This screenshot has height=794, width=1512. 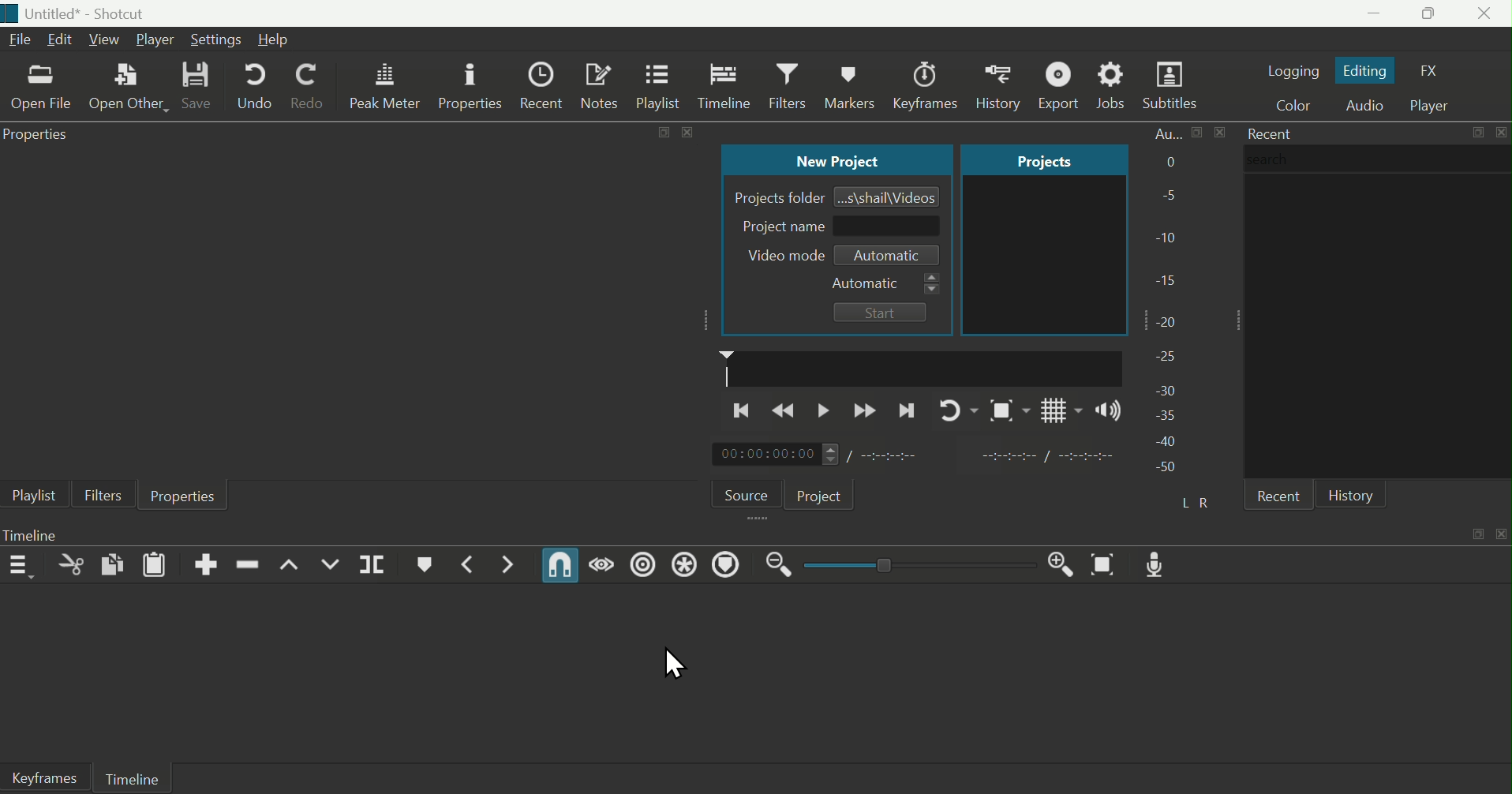 I want to click on Timeline, so click(x=51, y=534).